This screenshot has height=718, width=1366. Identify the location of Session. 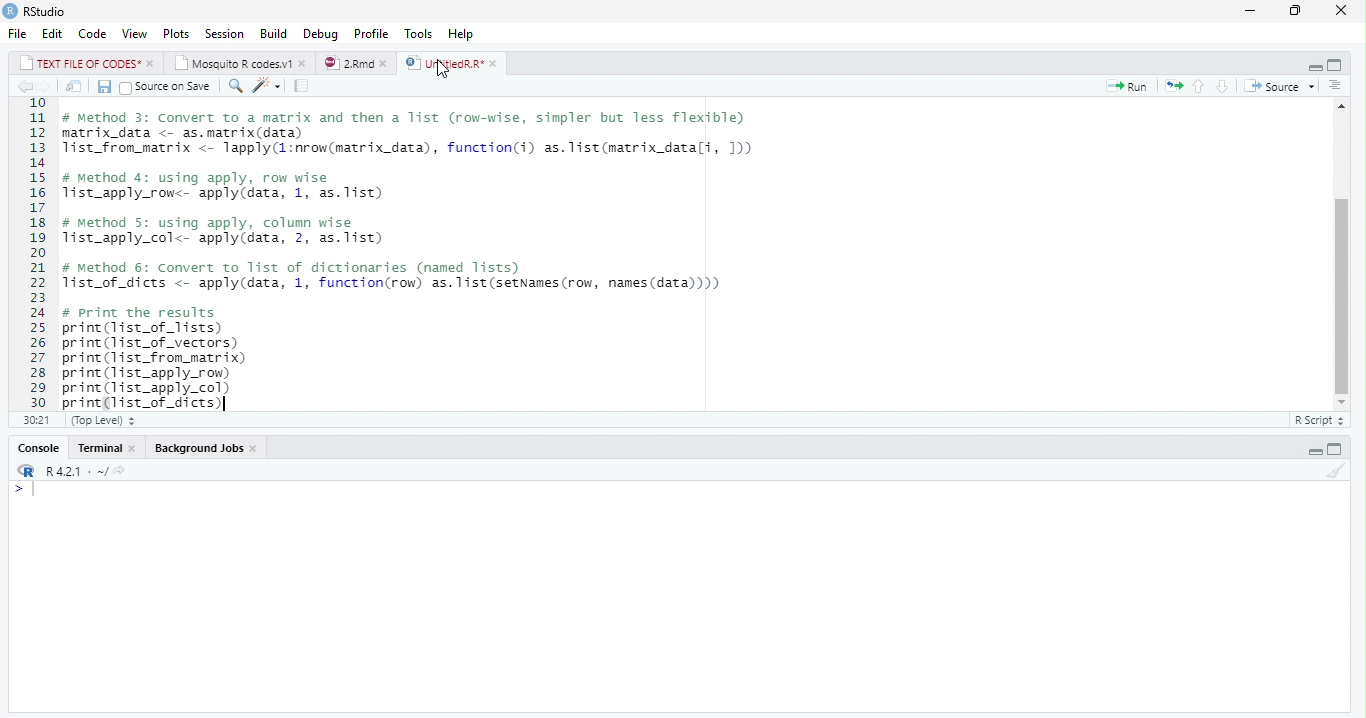
(226, 33).